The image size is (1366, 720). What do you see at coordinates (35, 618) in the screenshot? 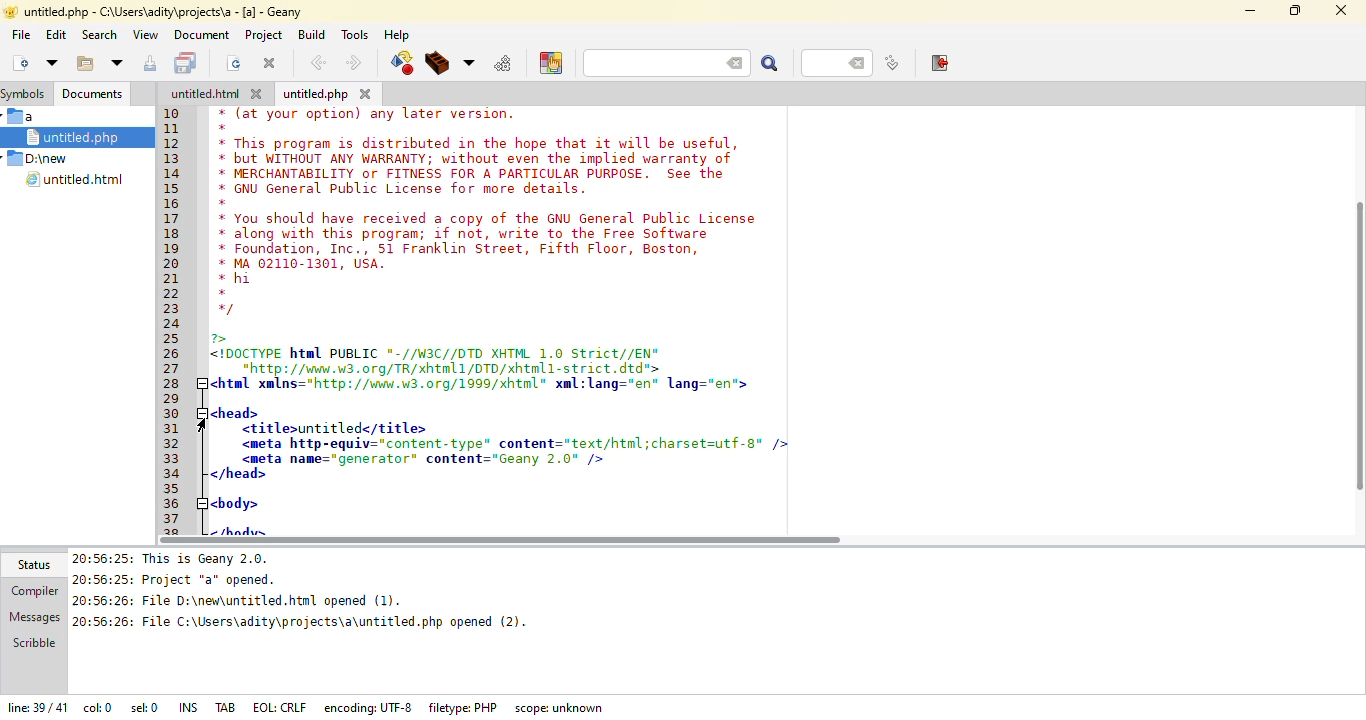
I see `messages` at bounding box center [35, 618].